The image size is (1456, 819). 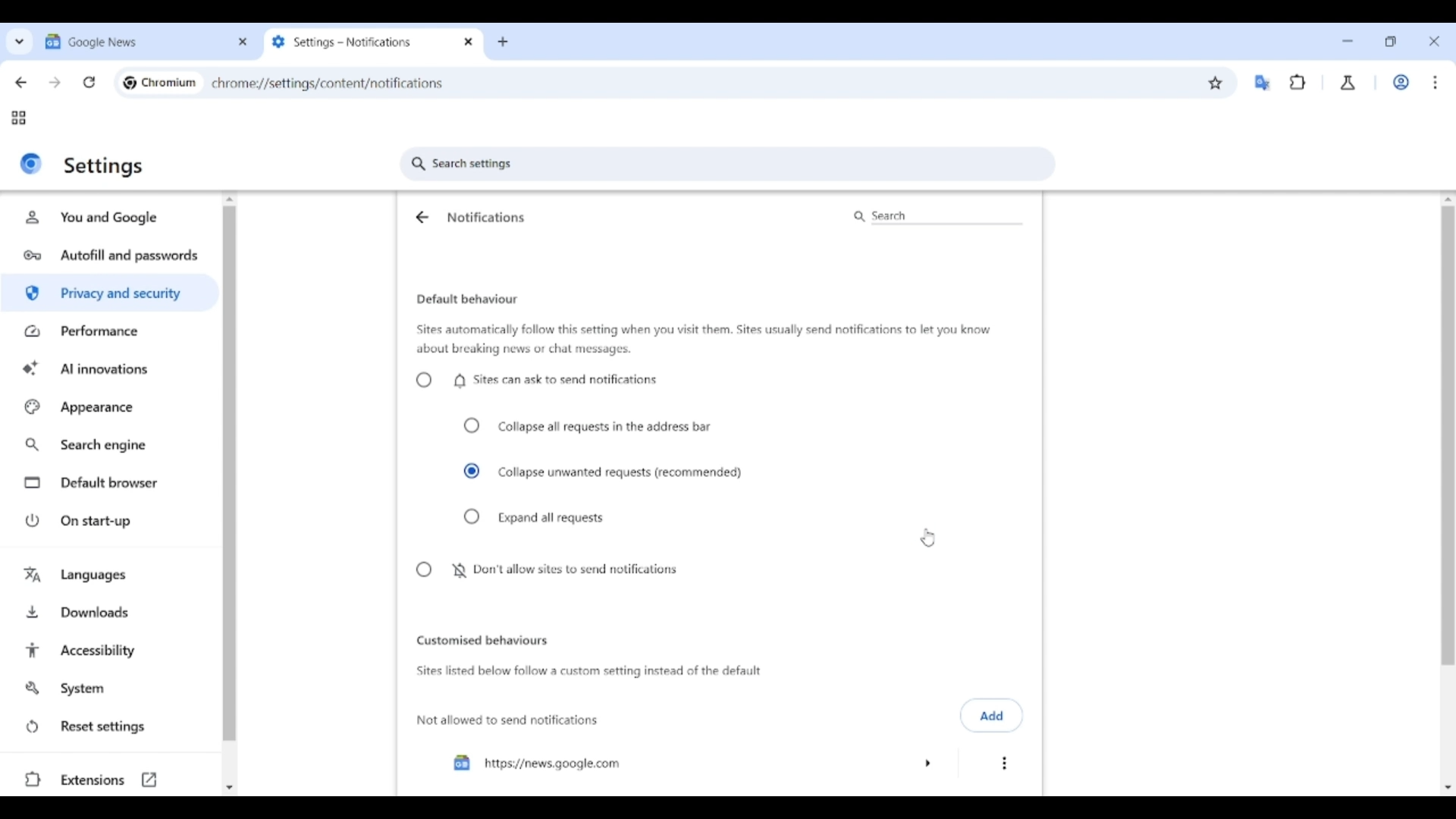 I want to click on Downloads, so click(x=111, y=610).